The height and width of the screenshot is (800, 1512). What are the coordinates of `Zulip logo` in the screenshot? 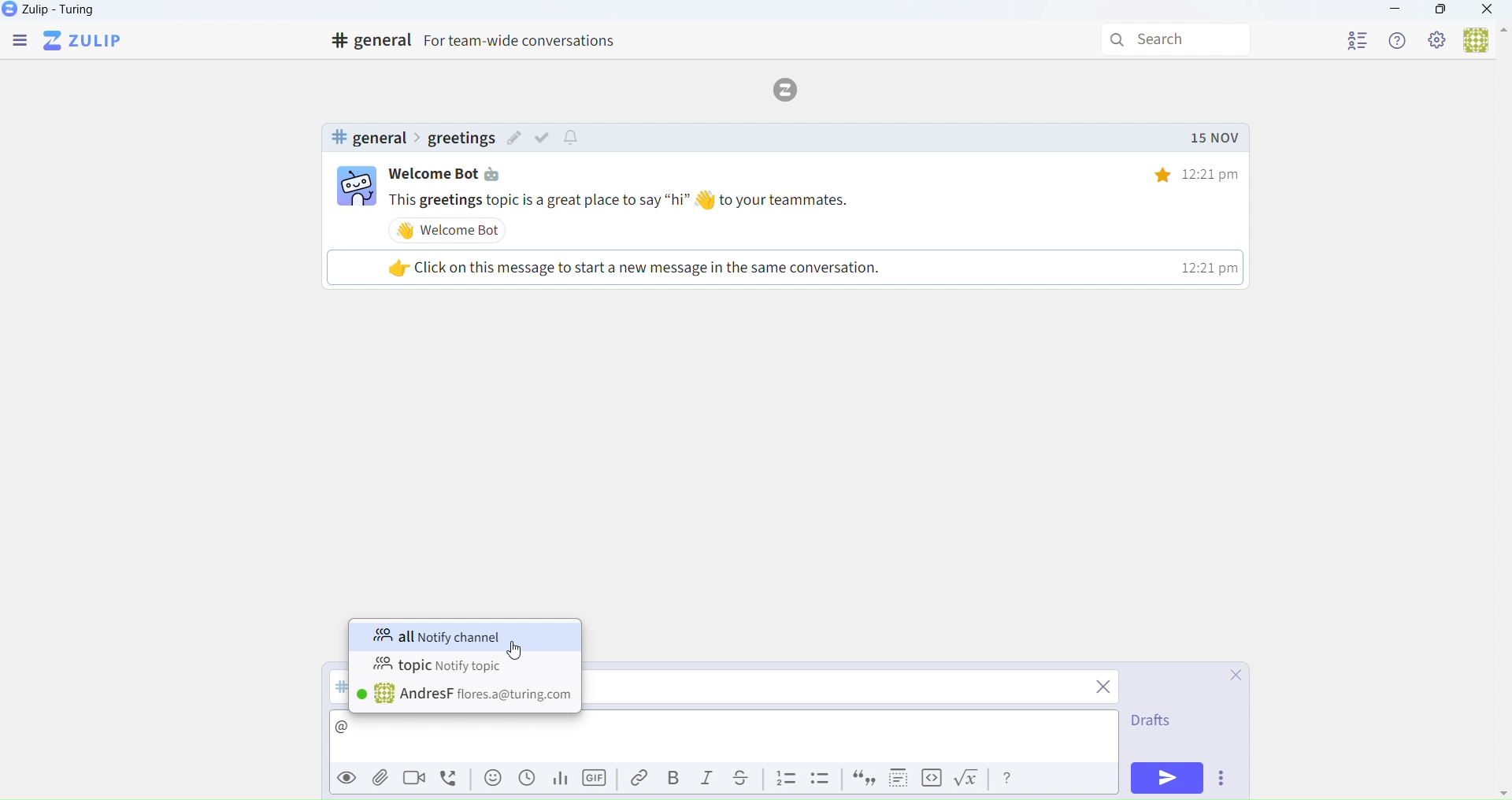 It's located at (86, 41).